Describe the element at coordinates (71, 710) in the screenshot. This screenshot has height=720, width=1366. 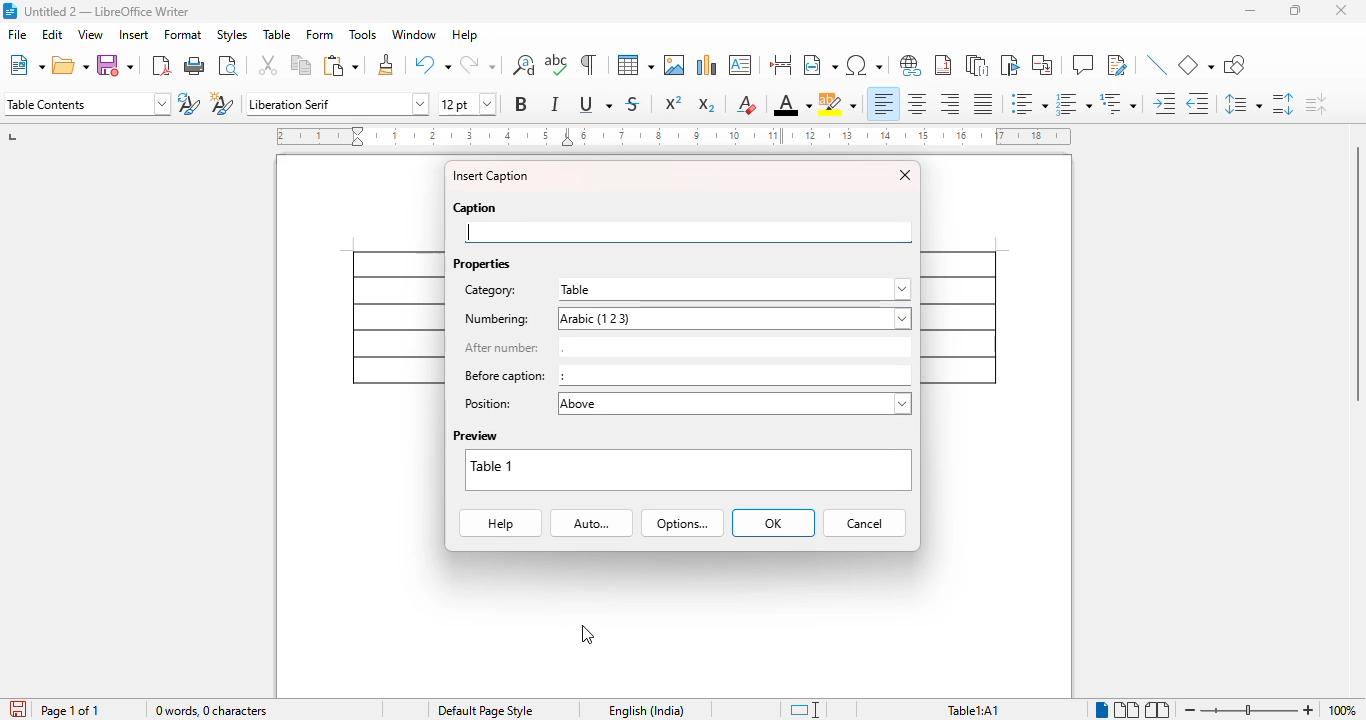
I see `page 1 of 1` at that location.